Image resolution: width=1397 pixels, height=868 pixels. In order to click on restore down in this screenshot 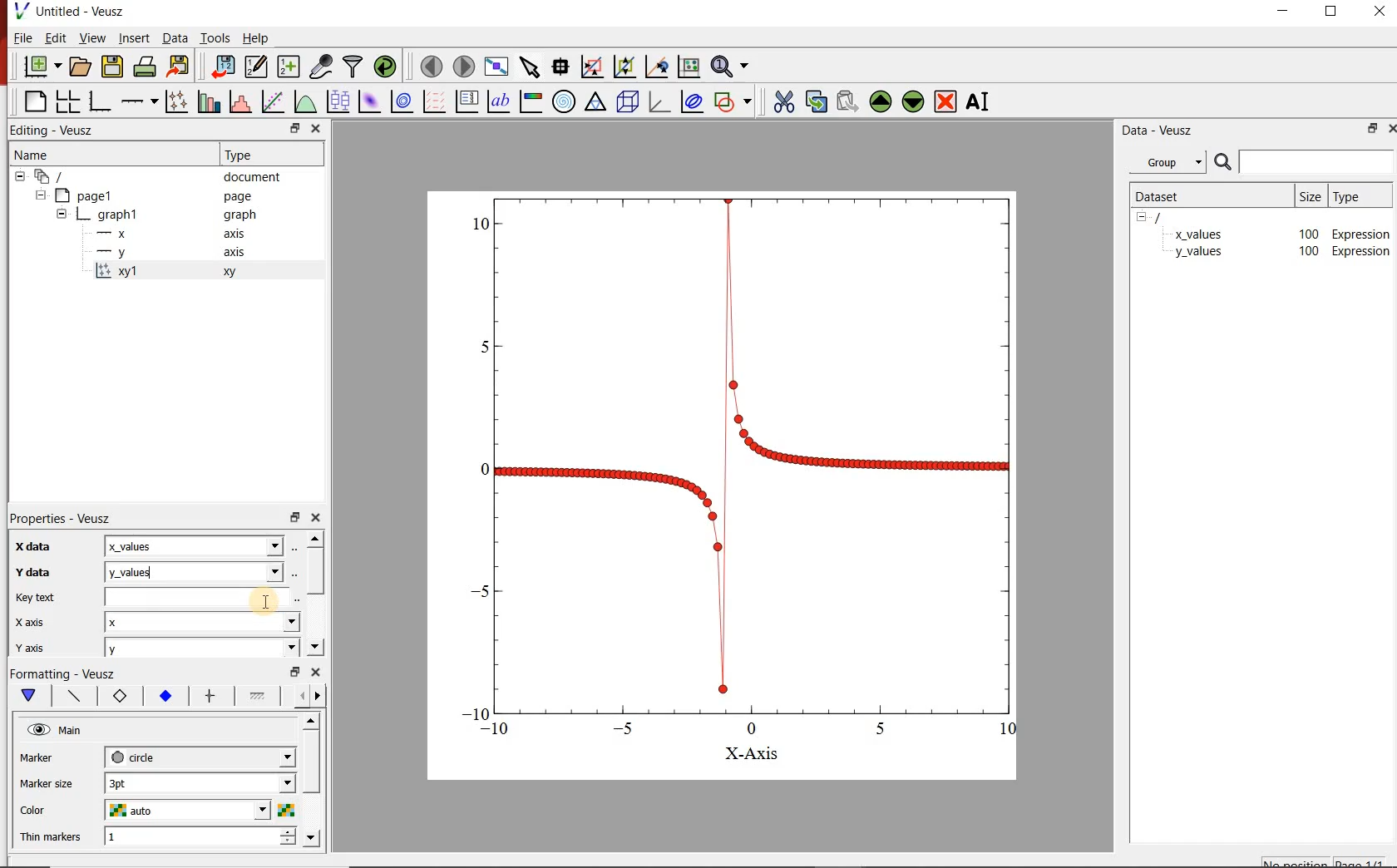, I will do `click(295, 671)`.